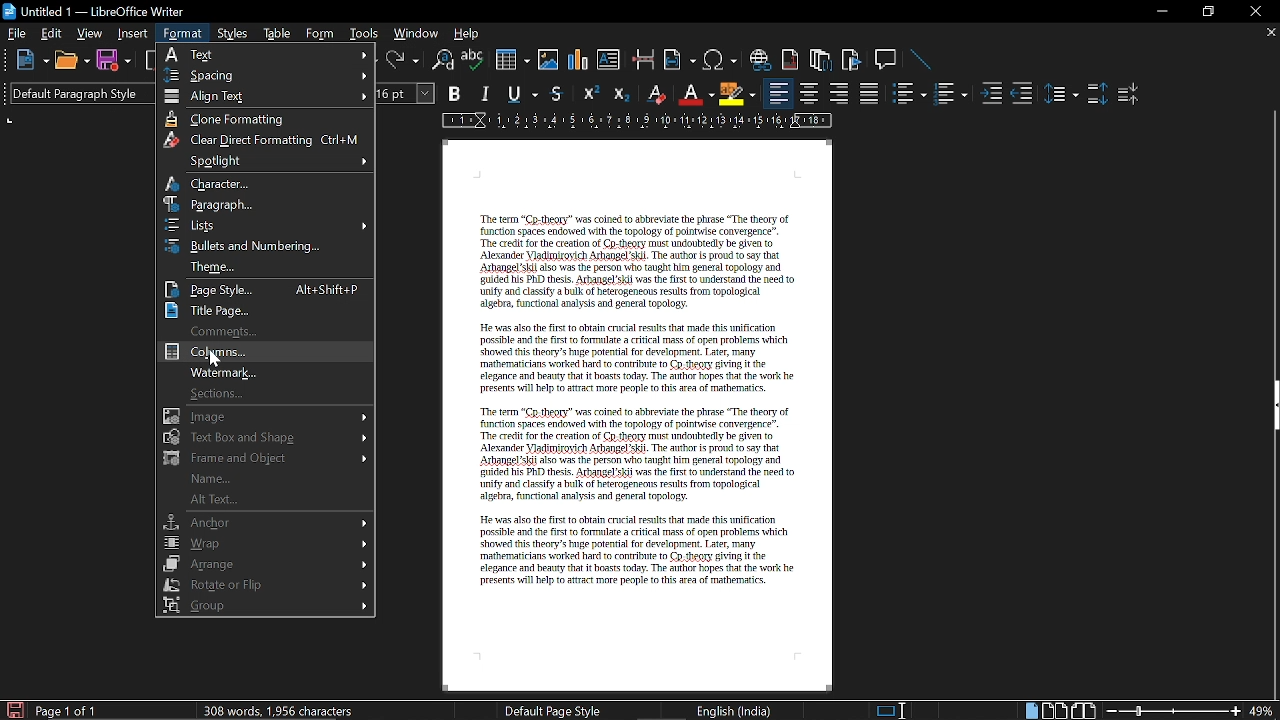 The height and width of the screenshot is (720, 1280). What do you see at coordinates (263, 478) in the screenshot?
I see `Name` at bounding box center [263, 478].